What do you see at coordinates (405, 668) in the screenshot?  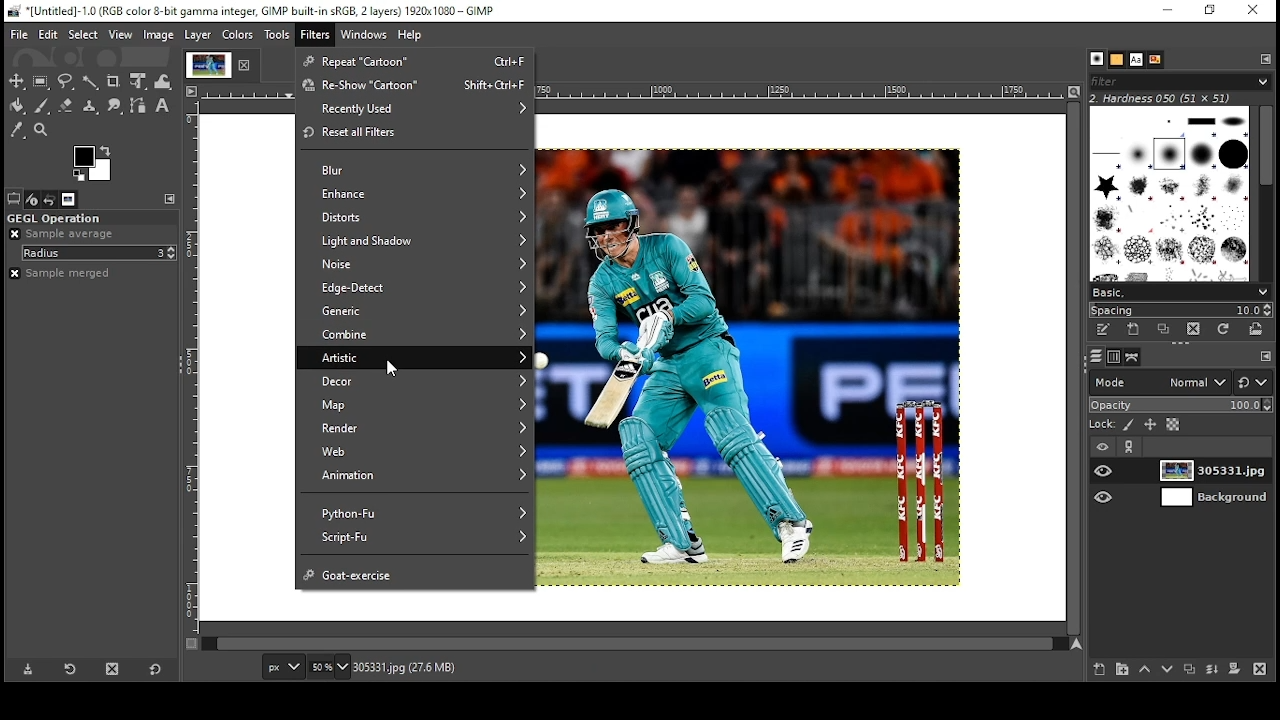 I see `305331.jpg (27.6mb)` at bounding box center [405, 668].